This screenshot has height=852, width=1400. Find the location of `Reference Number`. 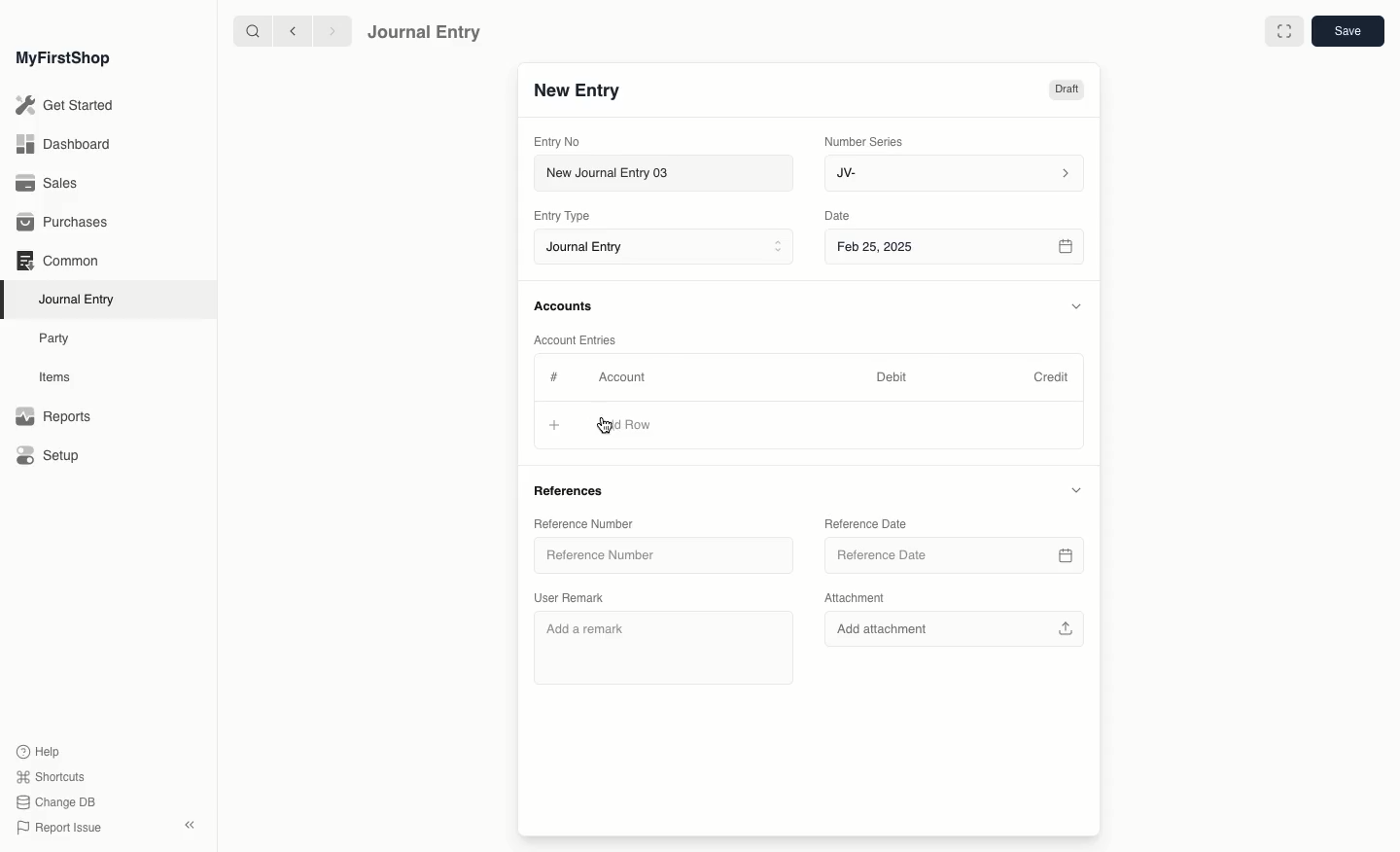

Reference Number is located at coordinates (584, 523).